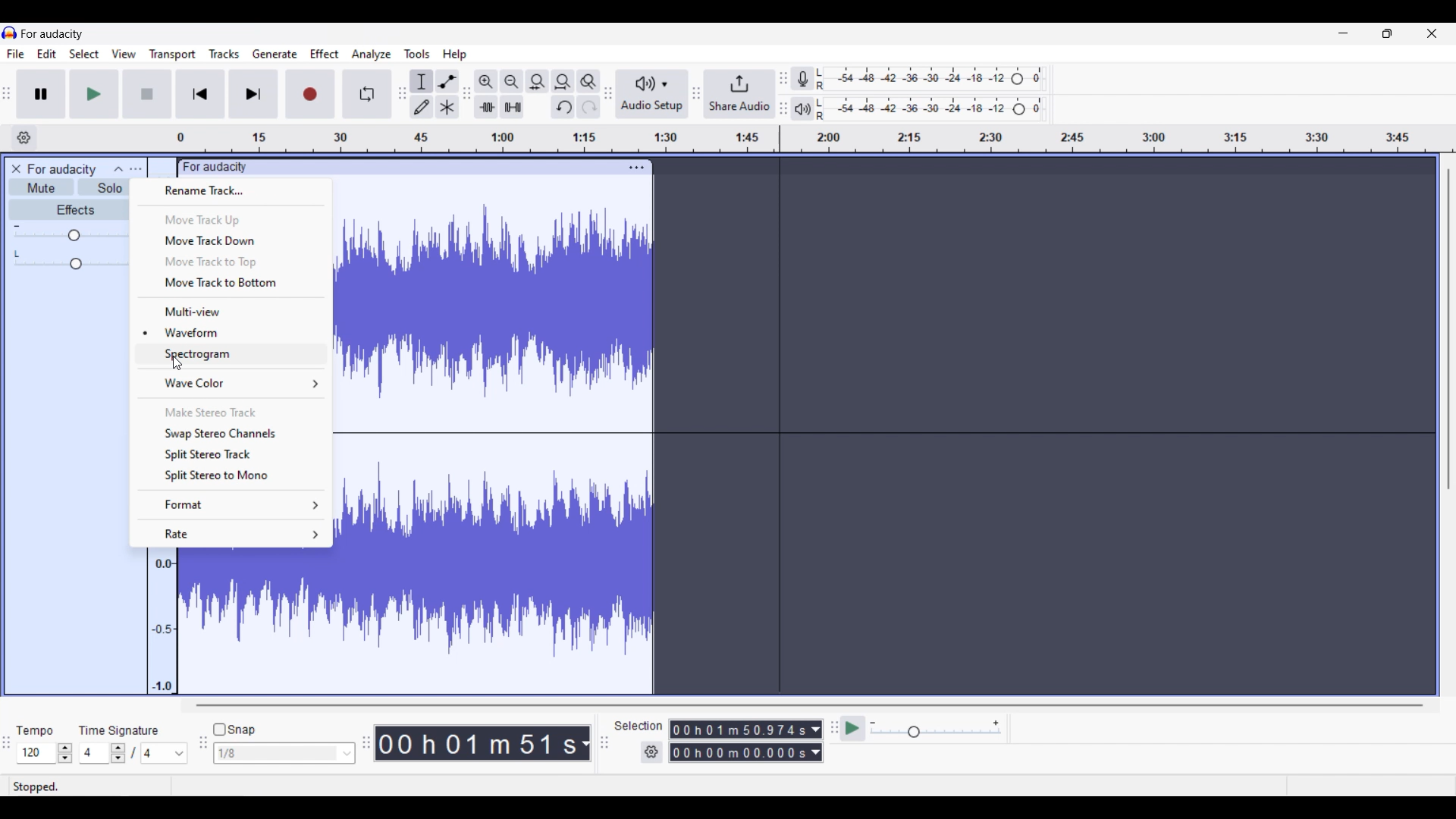 This screenshot has width=1456, height=819. What do you see at coordinates (62, 169) in the screenshot?
I see `for audacity` at bounding box center [62, 169].